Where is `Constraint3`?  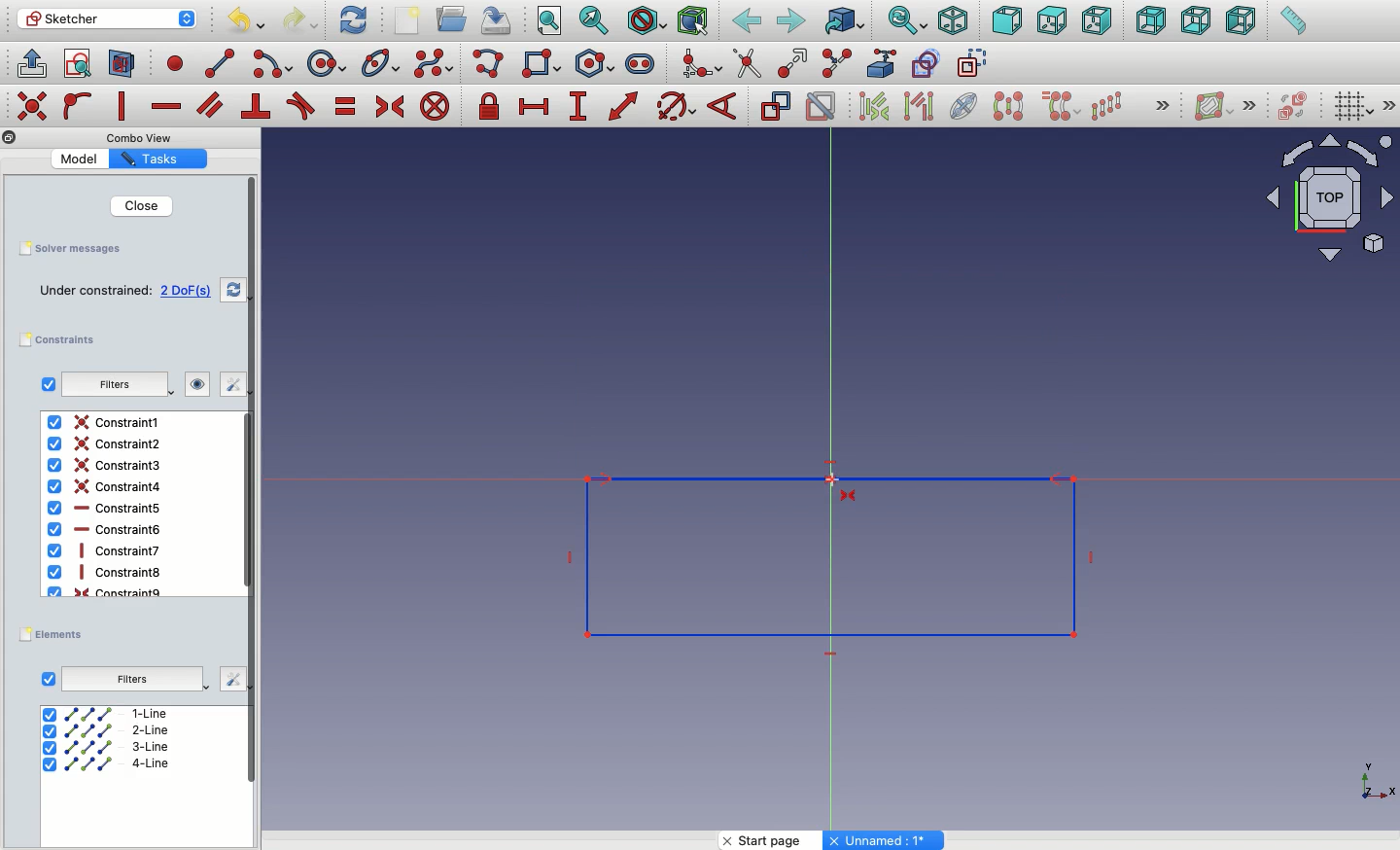 Constraint3 is located at coordinates (107, 466).